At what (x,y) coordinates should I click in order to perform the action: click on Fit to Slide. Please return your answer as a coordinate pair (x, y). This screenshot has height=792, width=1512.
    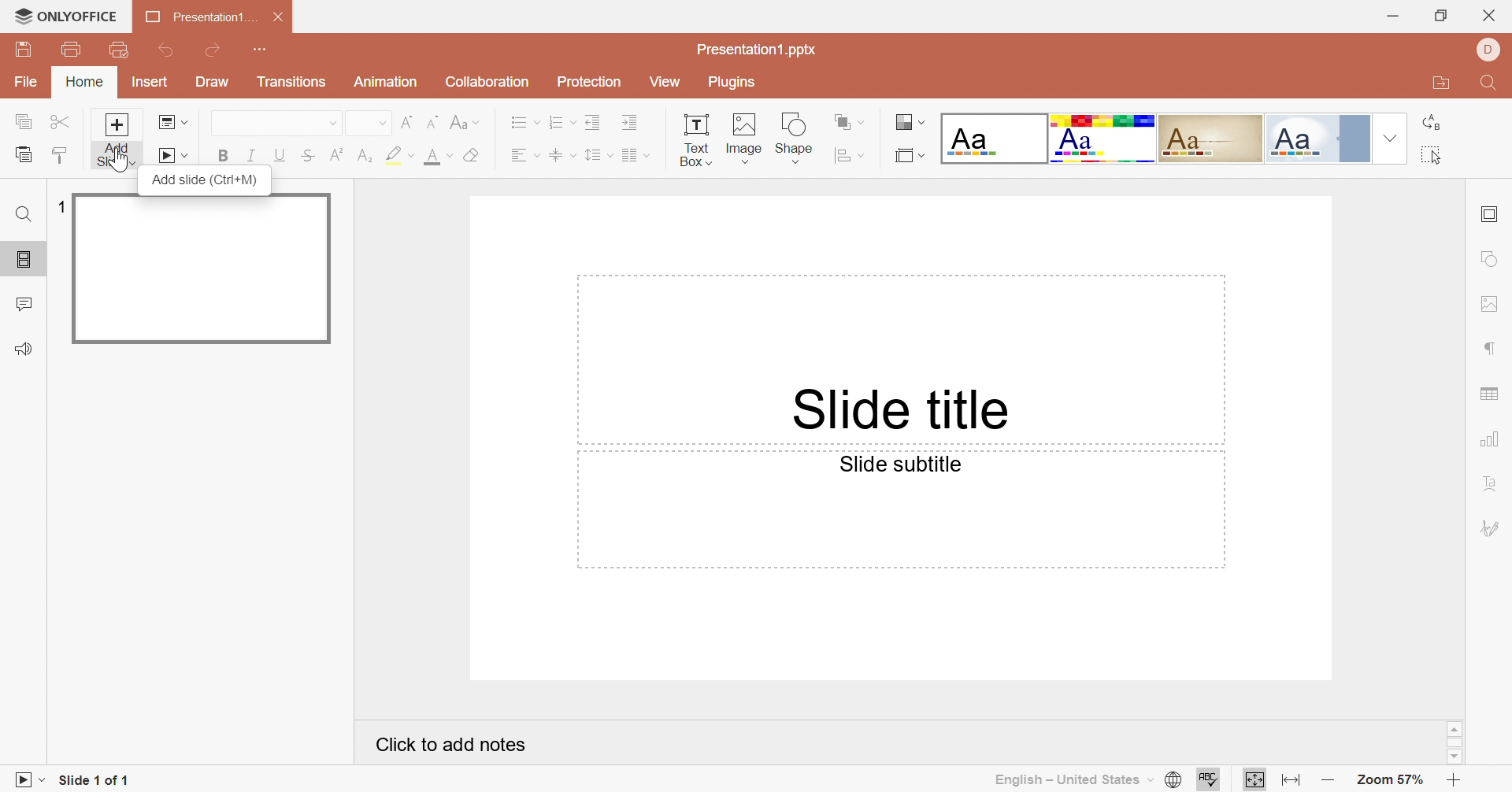
    Looking at the image, I should click on (1252, 779).